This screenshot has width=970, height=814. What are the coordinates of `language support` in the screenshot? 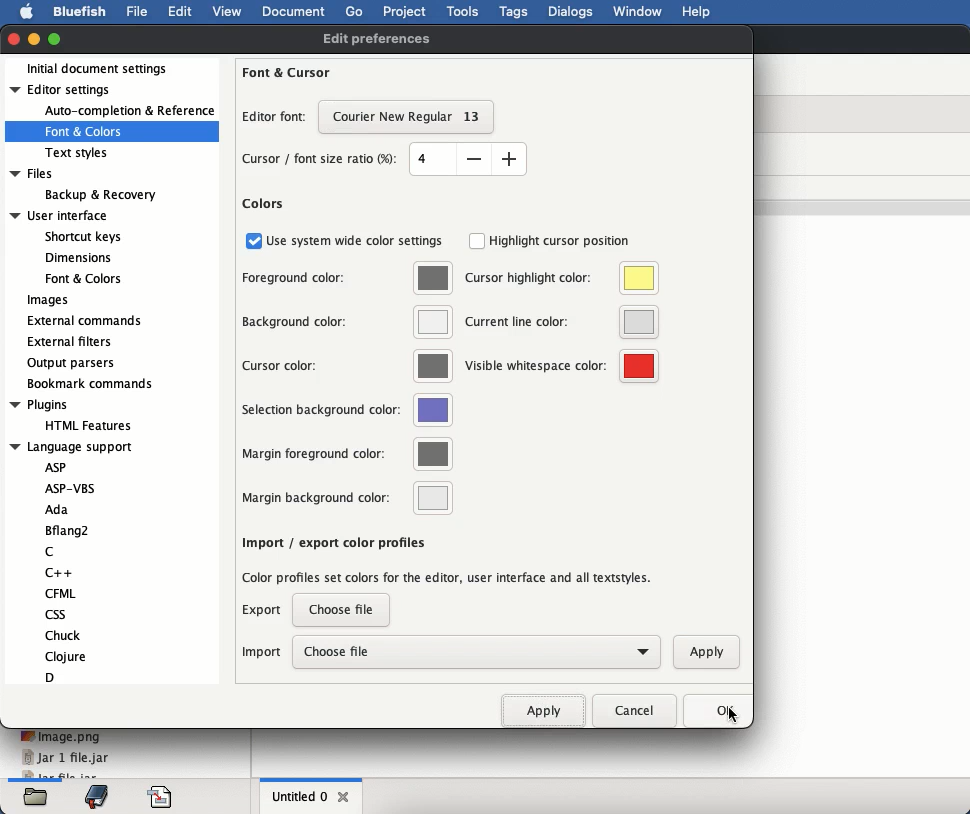 It's located at (84, 563).